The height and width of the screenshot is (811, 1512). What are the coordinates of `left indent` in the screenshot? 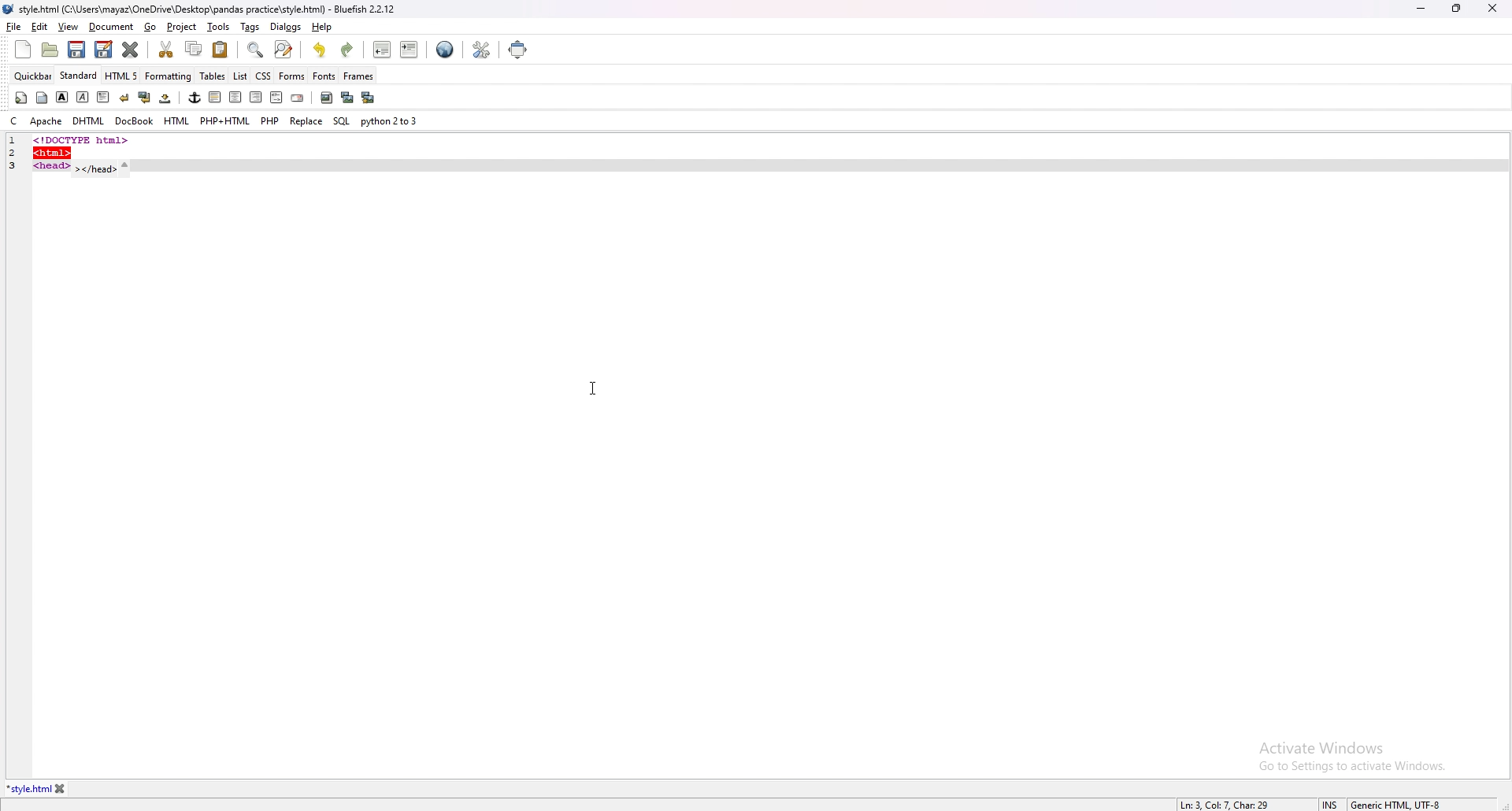 It's located at (213, 97).